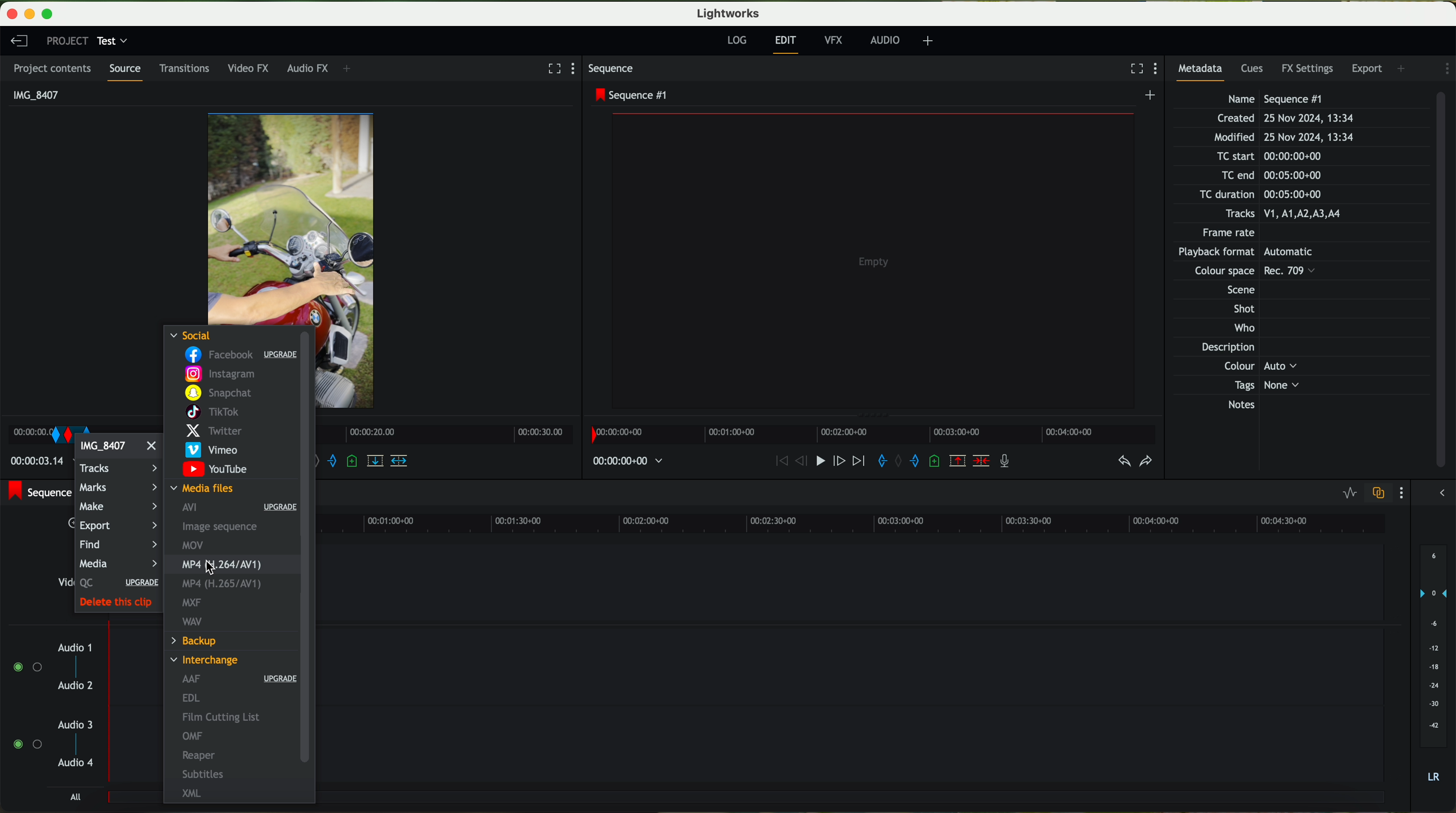 This screenshot has width=1456, height=813. I want to click on MXF, so click(192, 604).